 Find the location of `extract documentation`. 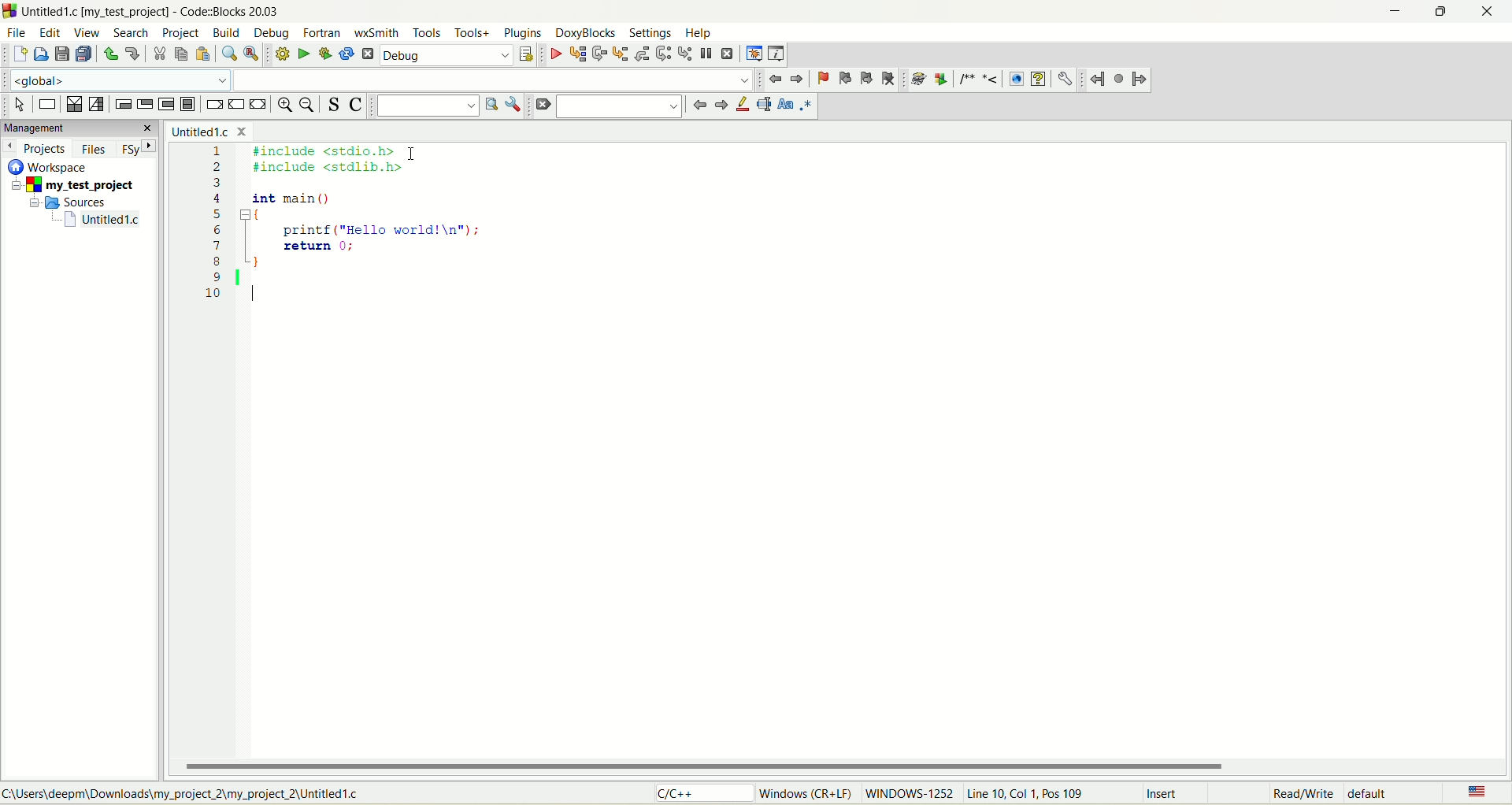

extract documentation is located at coordinates (943, 79).